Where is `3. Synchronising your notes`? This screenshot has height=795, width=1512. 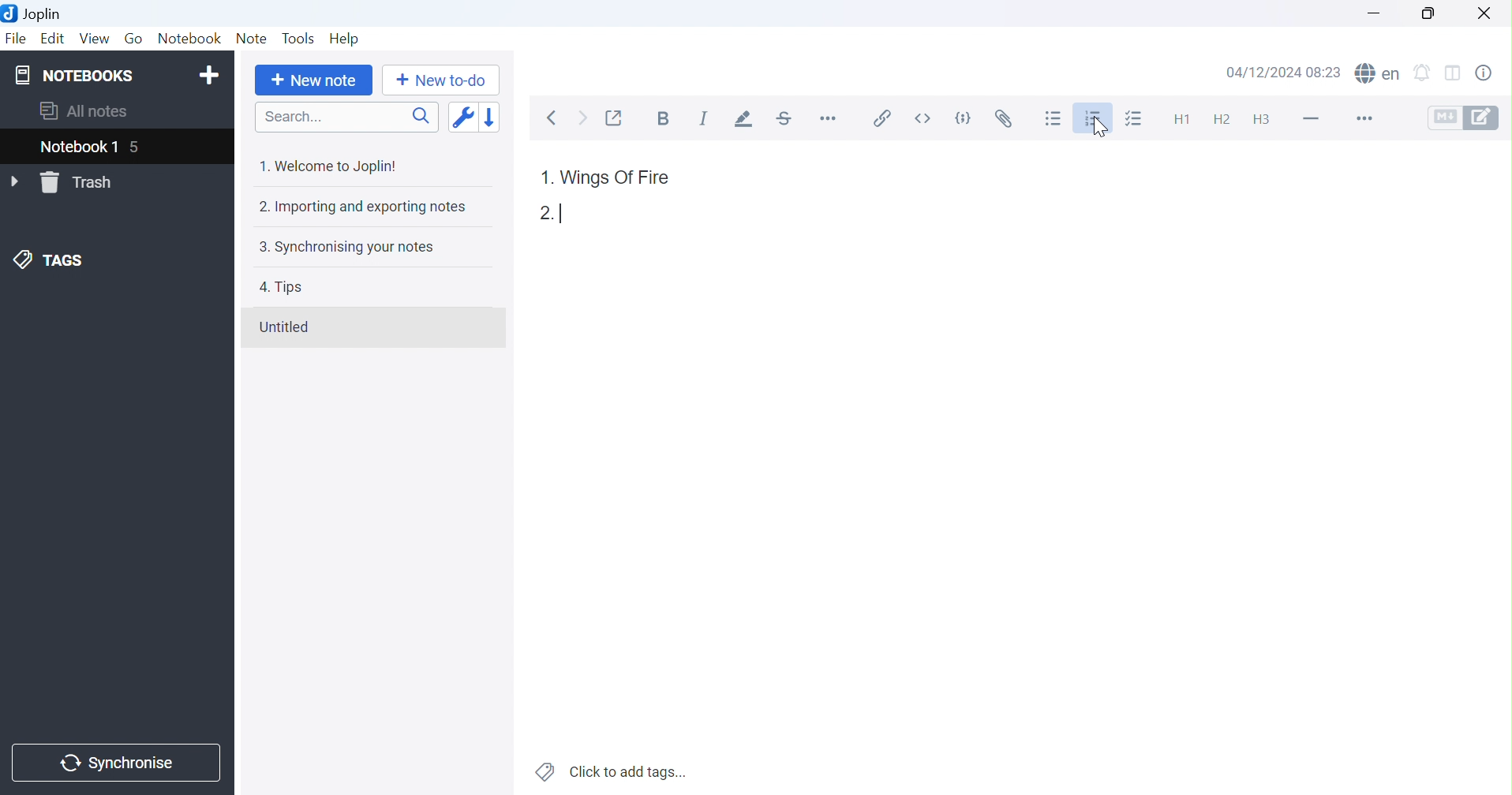 3. Synchronising your notes is located at coordinates (345, 248).